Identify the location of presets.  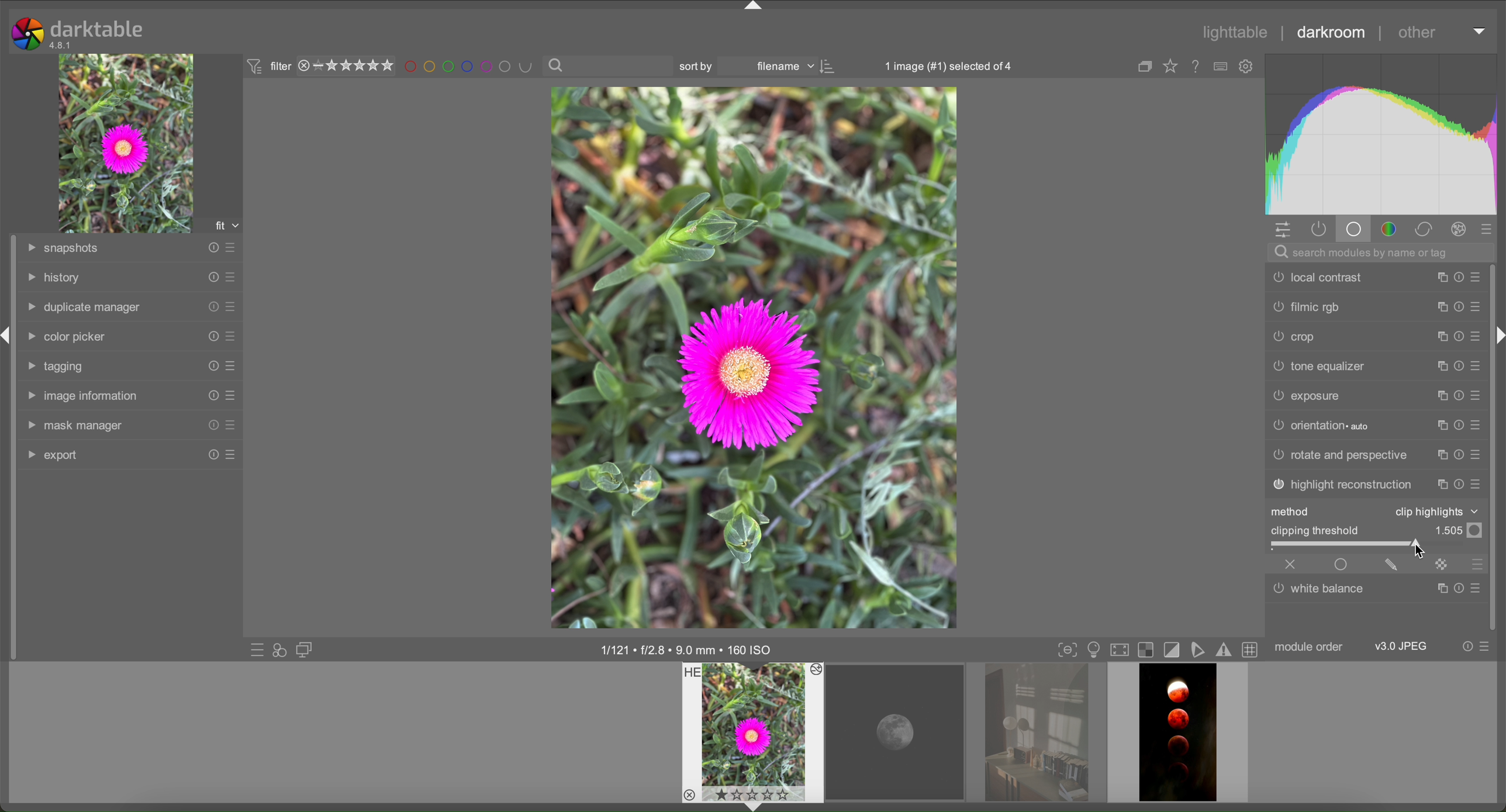
(230, 455).